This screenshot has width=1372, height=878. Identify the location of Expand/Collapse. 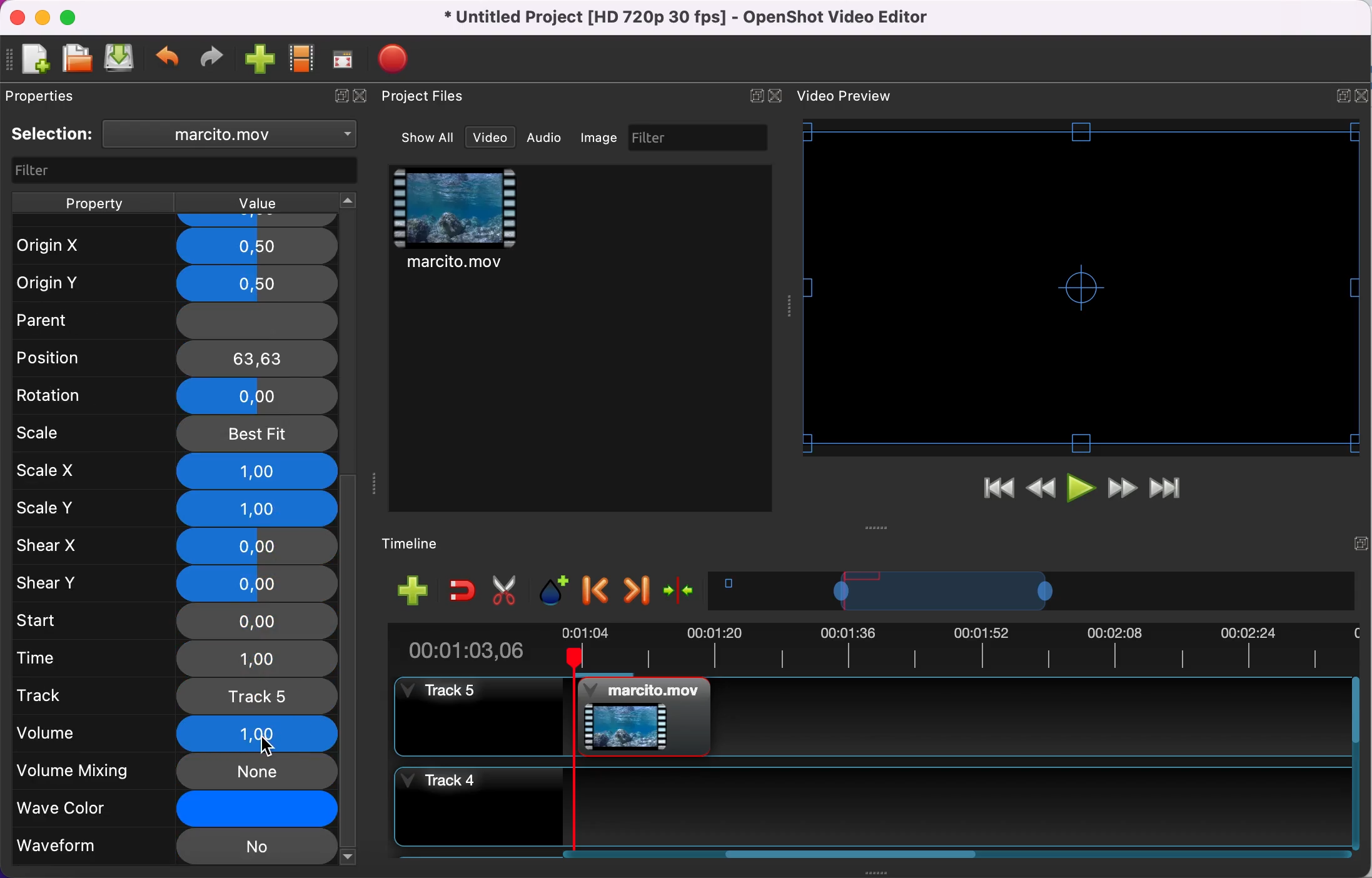
(756, 96).